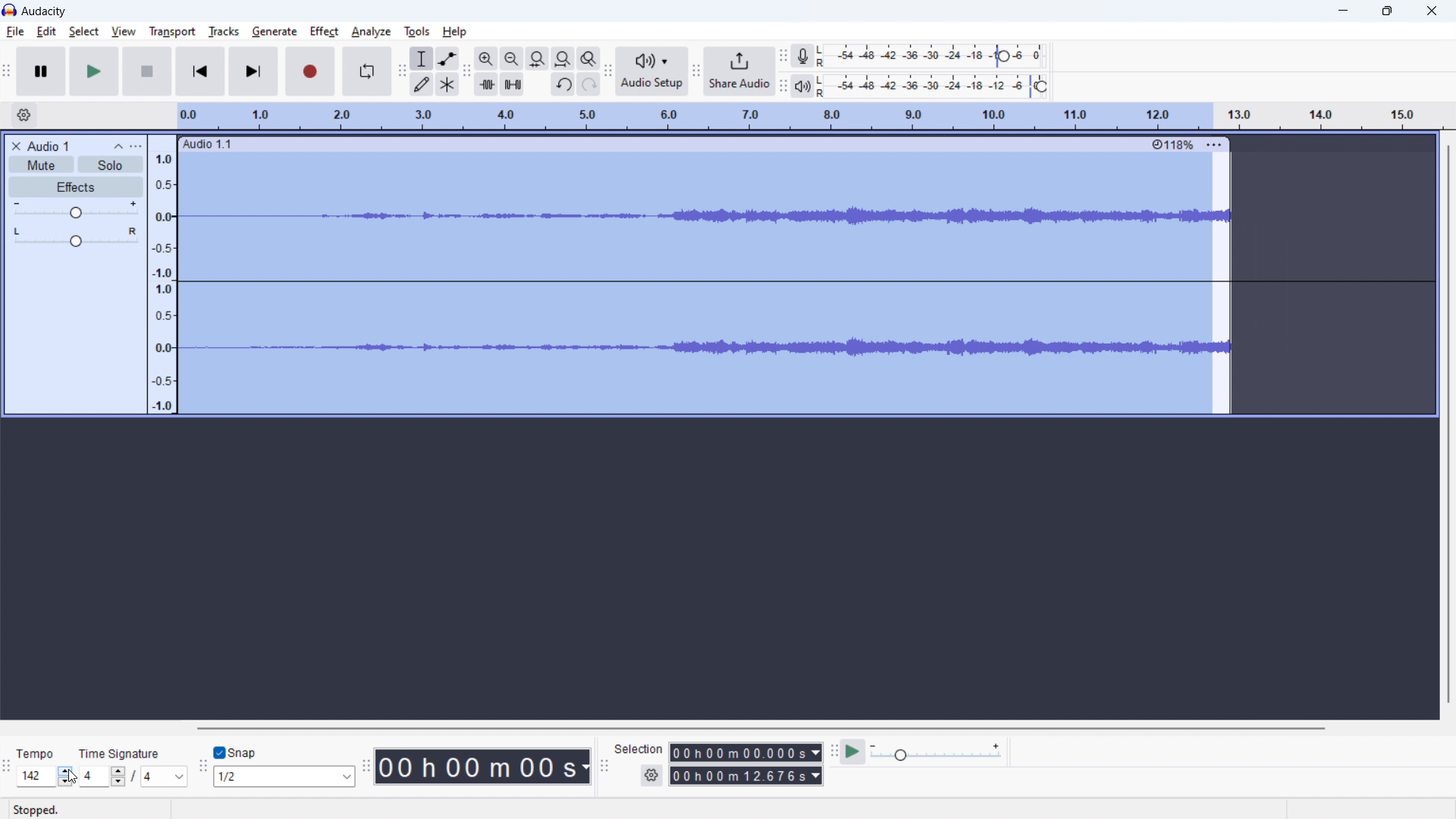  What do you see at coordinates (486, 83) in the screenshot?
I see `trim audio outside selection` at bounding box center [486, 83].